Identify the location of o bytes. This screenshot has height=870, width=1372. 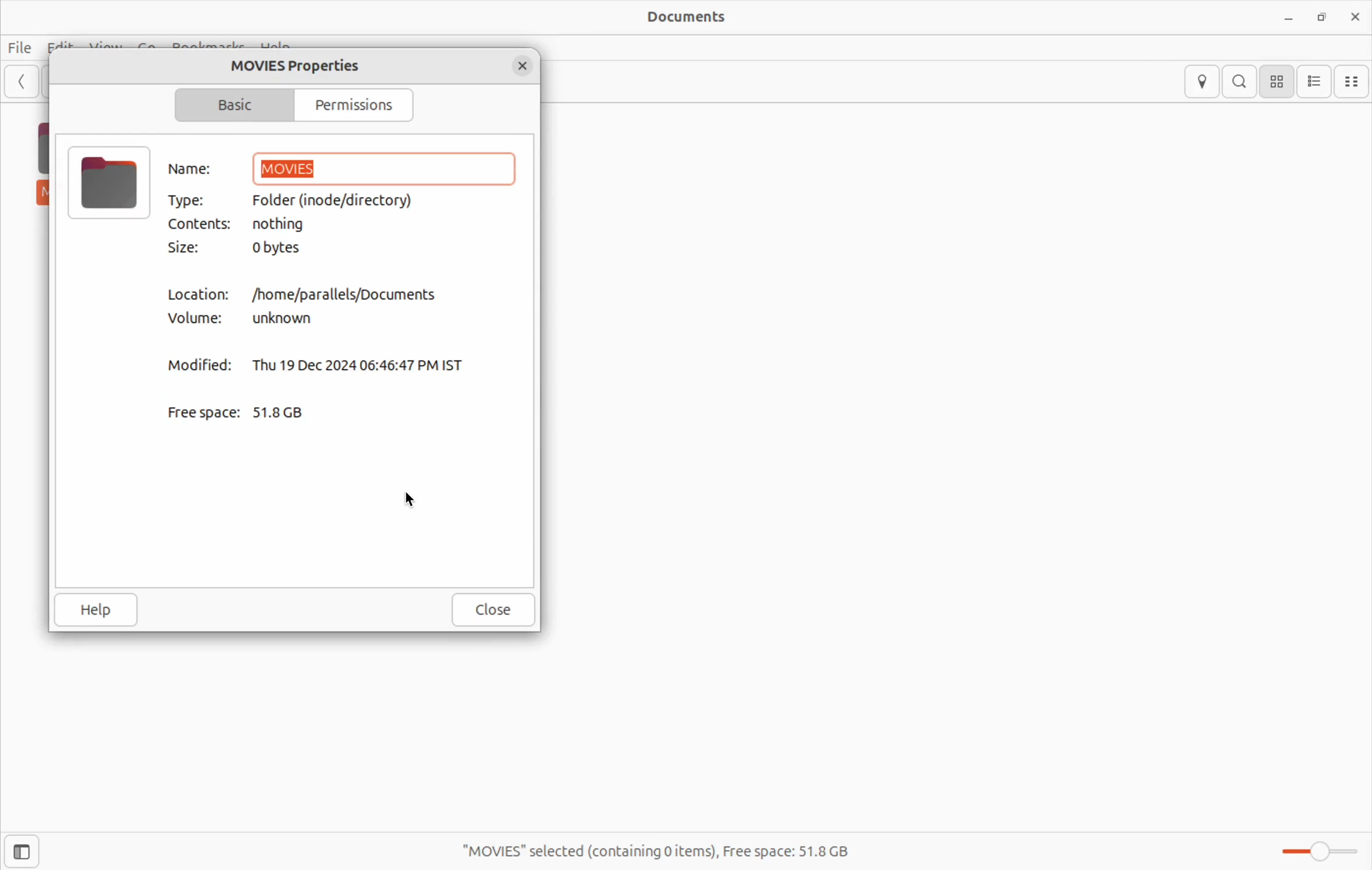
(284, 248).